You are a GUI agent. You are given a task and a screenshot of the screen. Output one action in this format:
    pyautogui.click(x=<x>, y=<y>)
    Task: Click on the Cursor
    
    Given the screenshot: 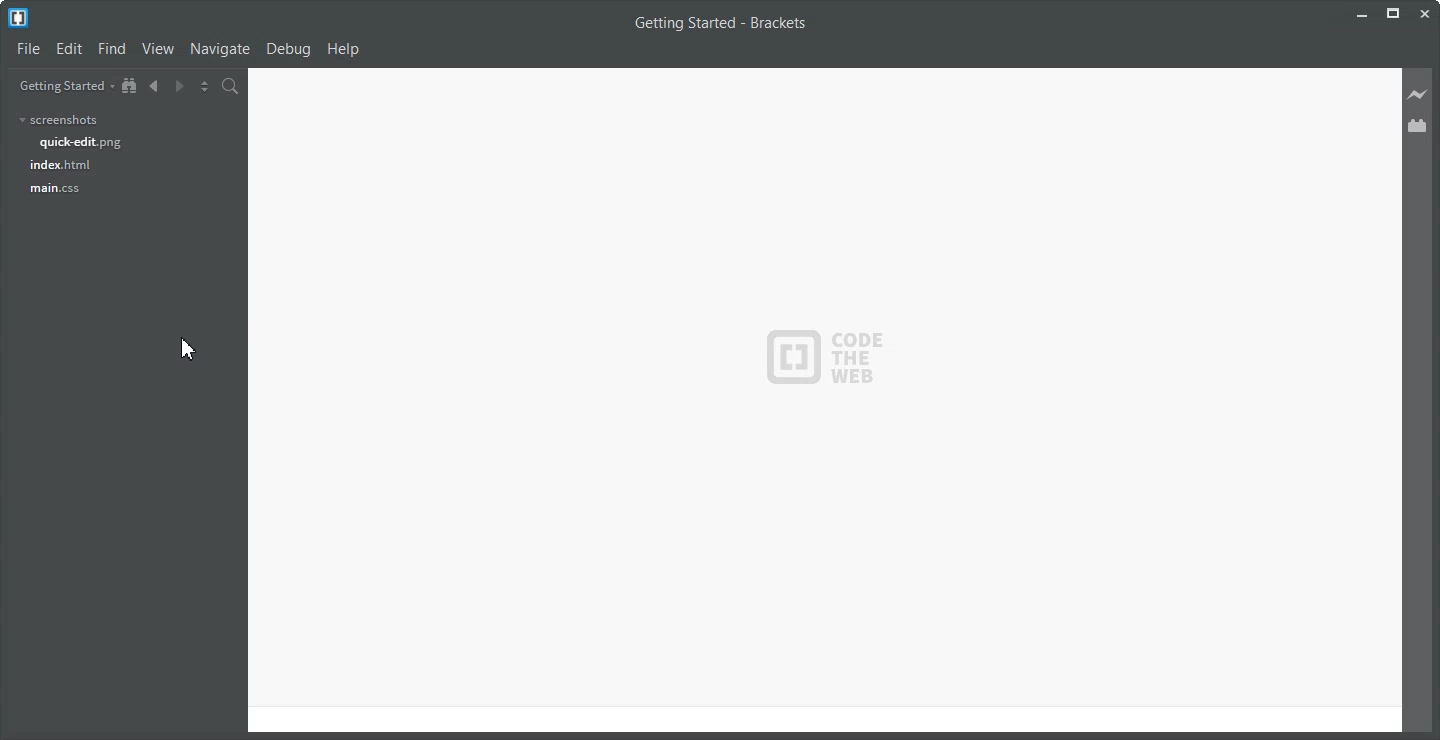 What is the action you would take?
    pyautogui.click(x=191, y=349)
    